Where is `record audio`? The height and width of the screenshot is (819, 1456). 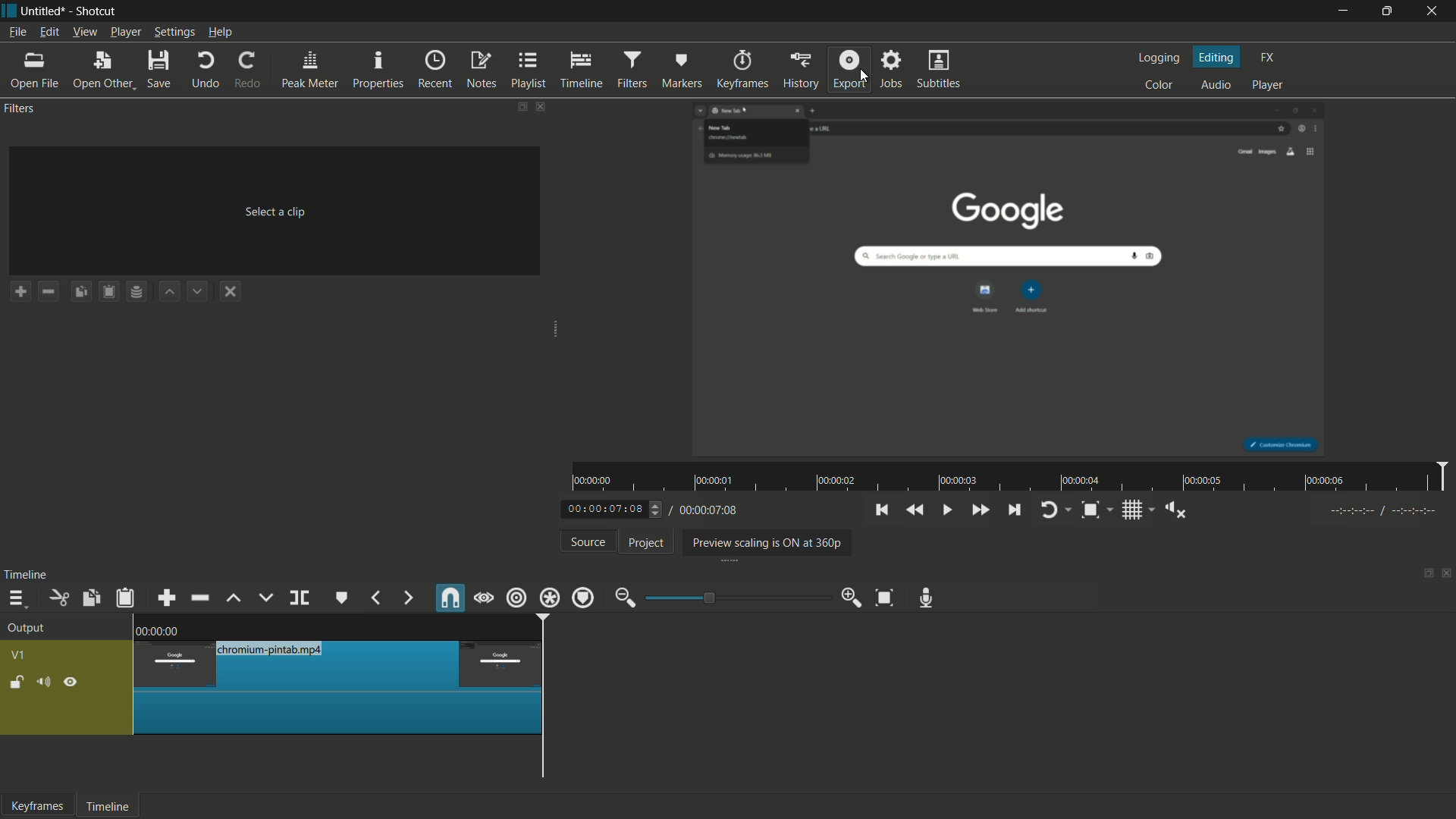
record audio is located at coordinates (927, 599).